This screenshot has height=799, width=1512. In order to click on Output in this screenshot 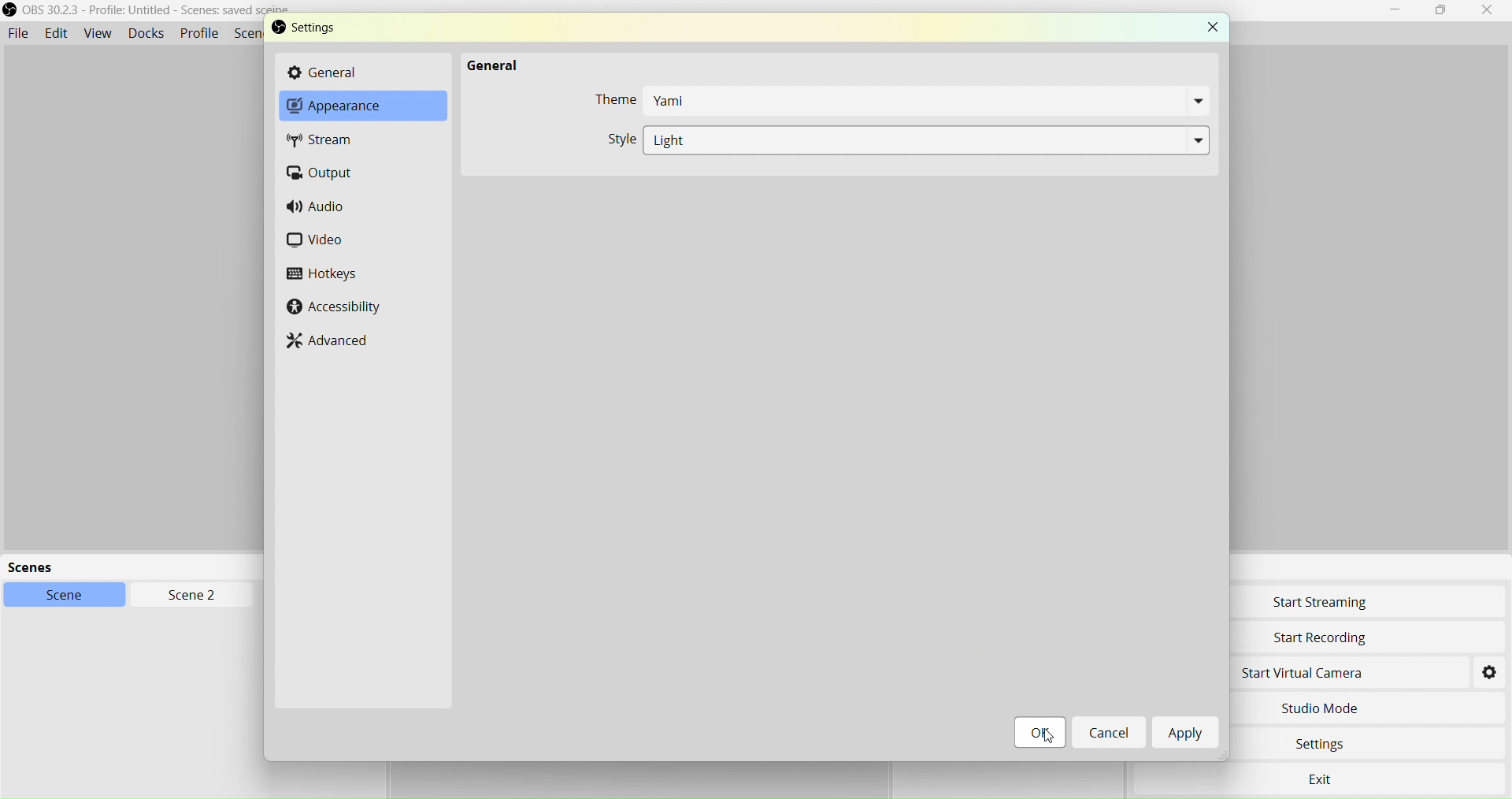, I will do `click(328, 173)`.